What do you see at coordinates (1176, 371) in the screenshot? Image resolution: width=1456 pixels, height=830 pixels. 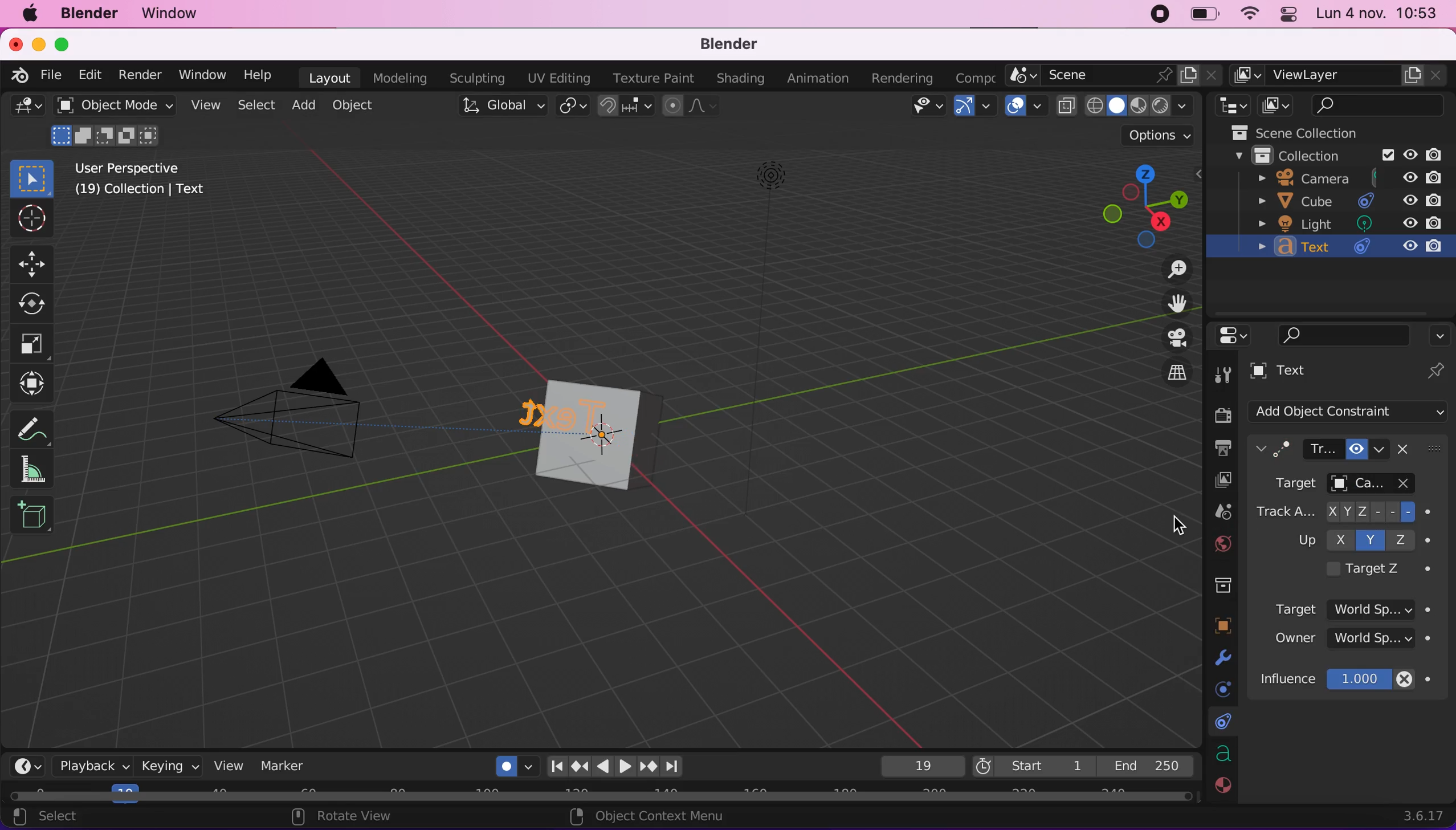 I see `switch the current view` at bounding box center [1176, 371].